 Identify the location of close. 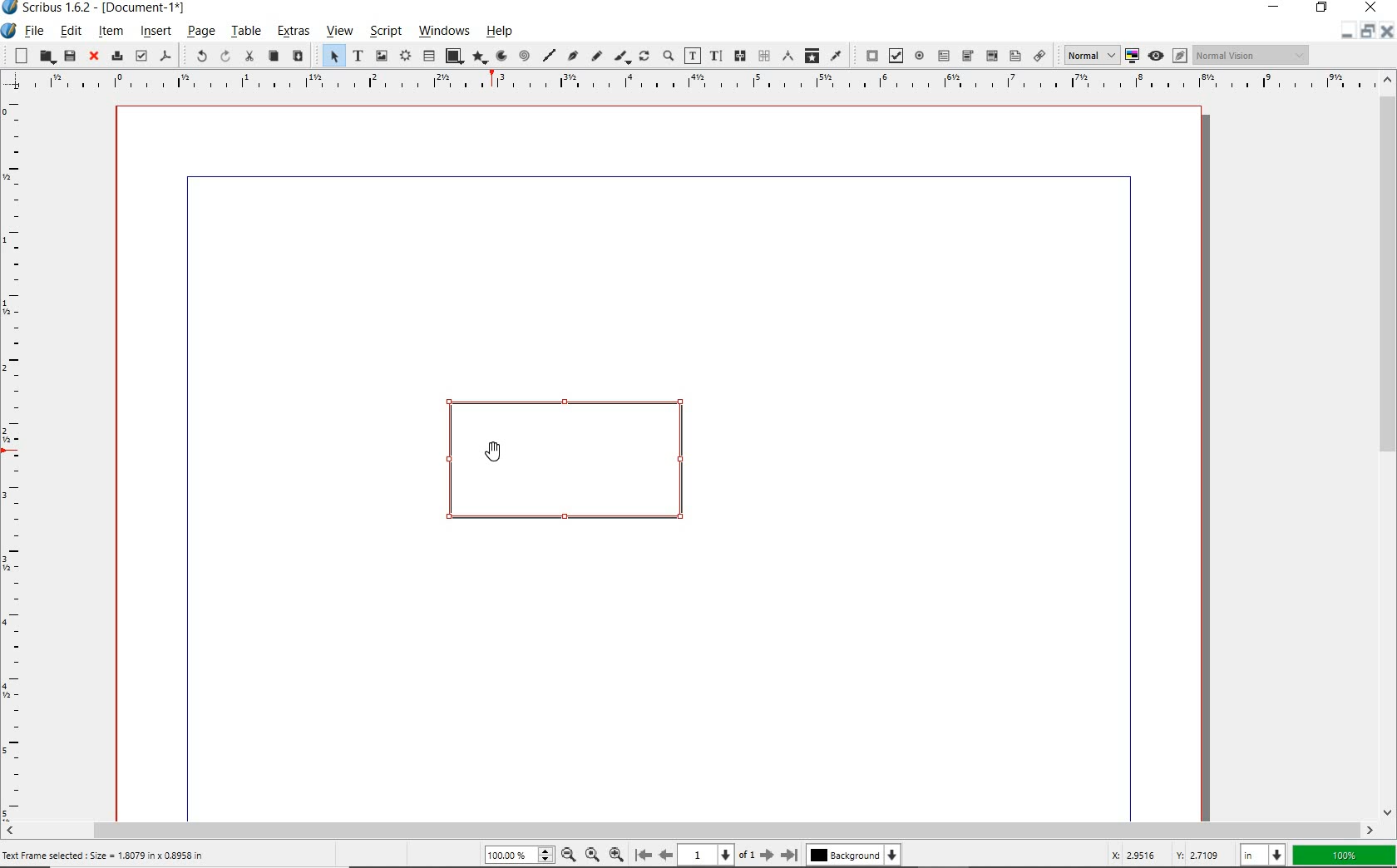
(94, 57).